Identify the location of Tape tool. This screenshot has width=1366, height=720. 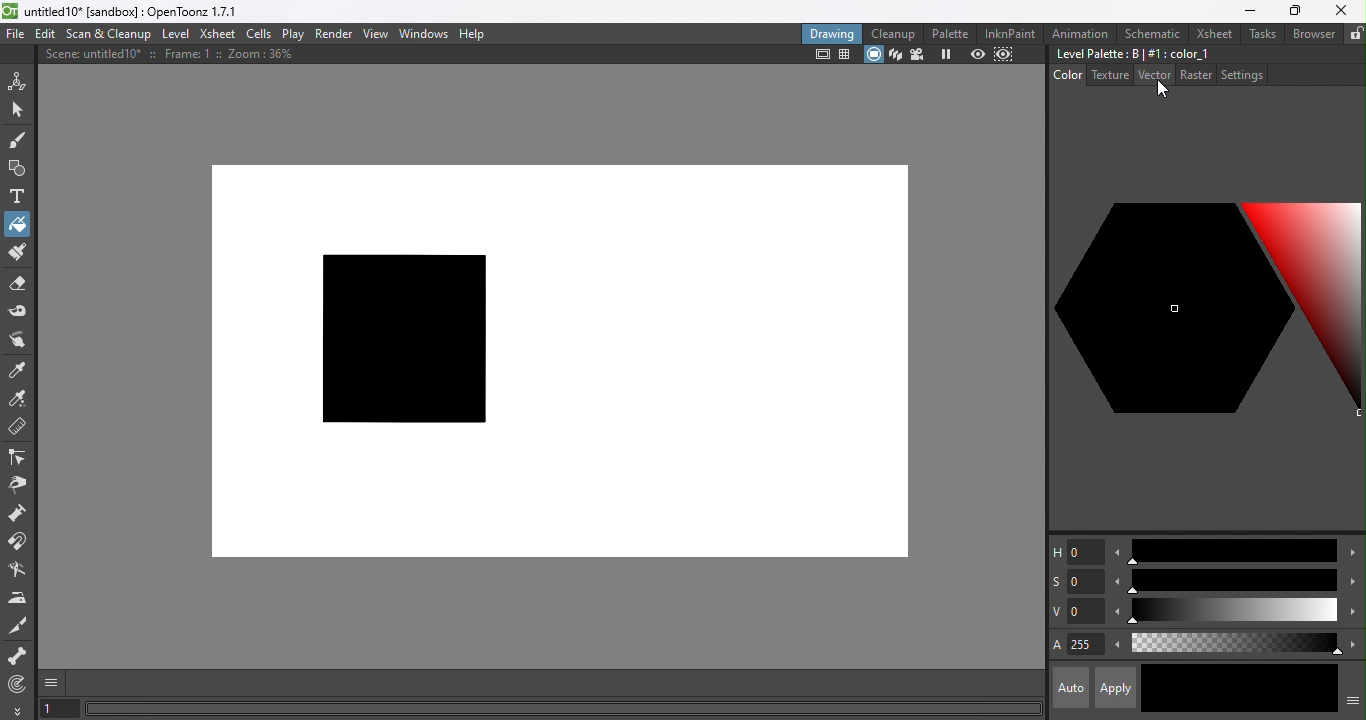
(19, 314).